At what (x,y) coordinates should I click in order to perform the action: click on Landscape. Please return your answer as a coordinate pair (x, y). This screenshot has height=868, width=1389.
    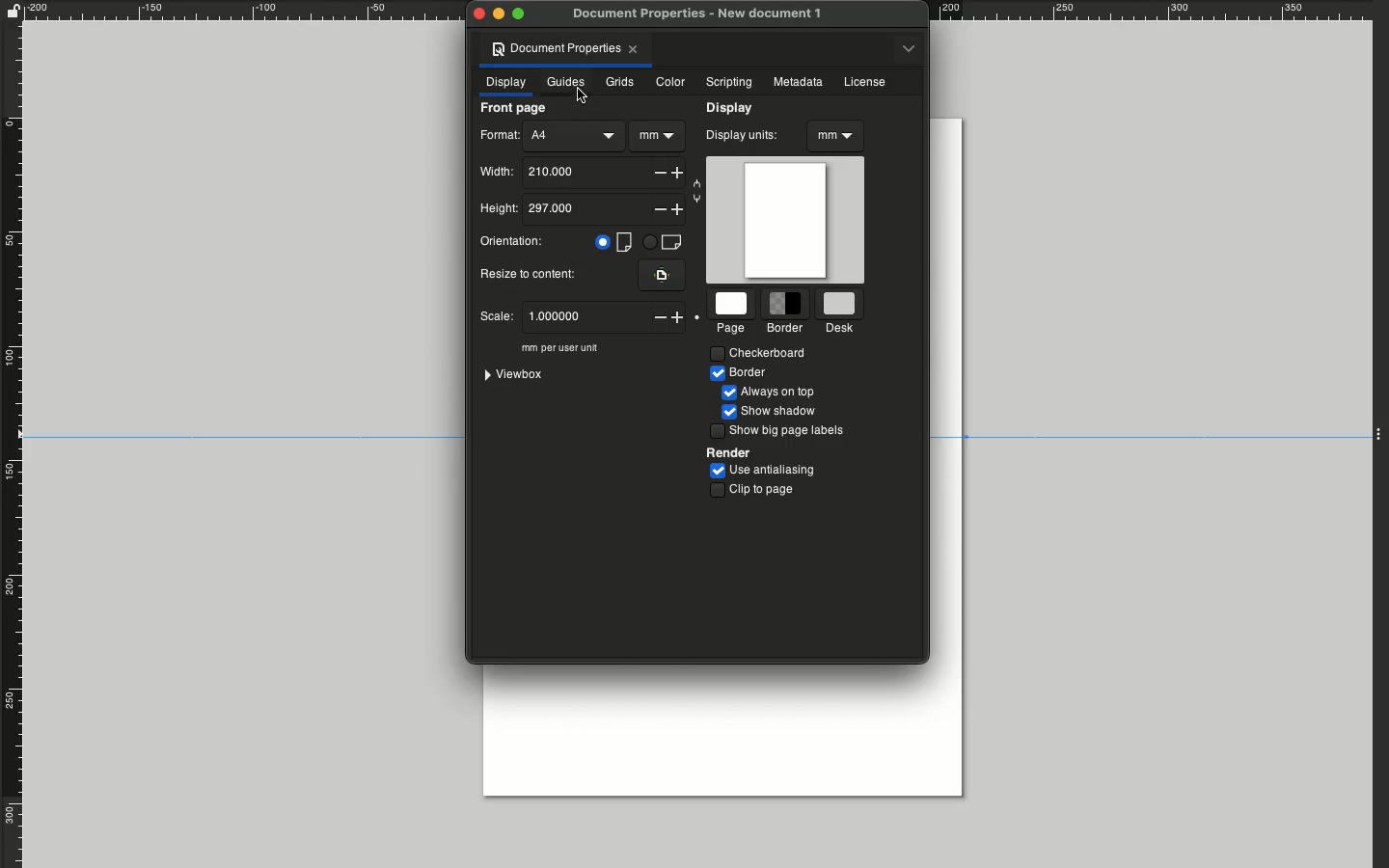
    Looking at the image, I should click on (663, 242).